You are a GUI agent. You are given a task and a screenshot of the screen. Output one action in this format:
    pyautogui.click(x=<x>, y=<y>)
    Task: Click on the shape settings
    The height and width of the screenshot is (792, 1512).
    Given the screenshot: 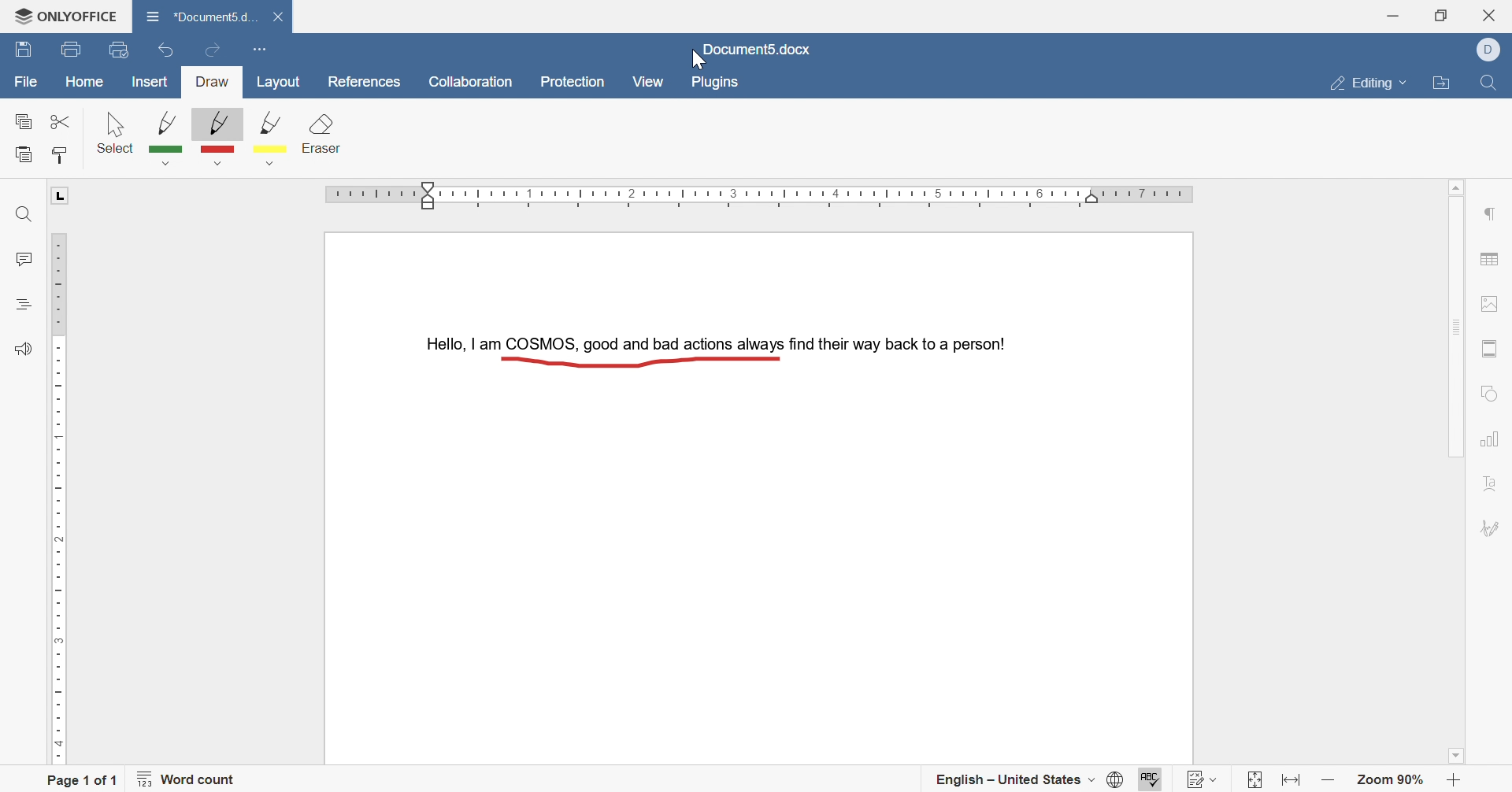 What is the action you would take?
    pyautogui.click(x=1491, y=391)
    